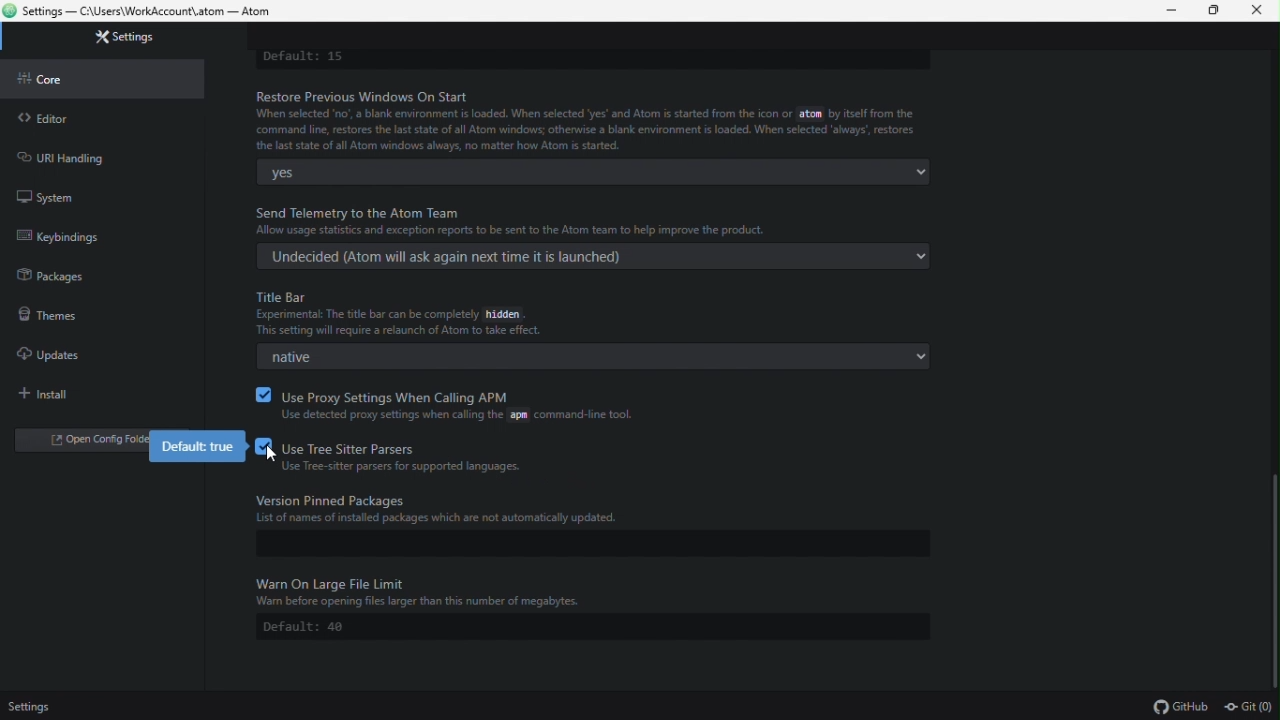  I want to click on use proxy settings when when calling APM, so click(463, 403).